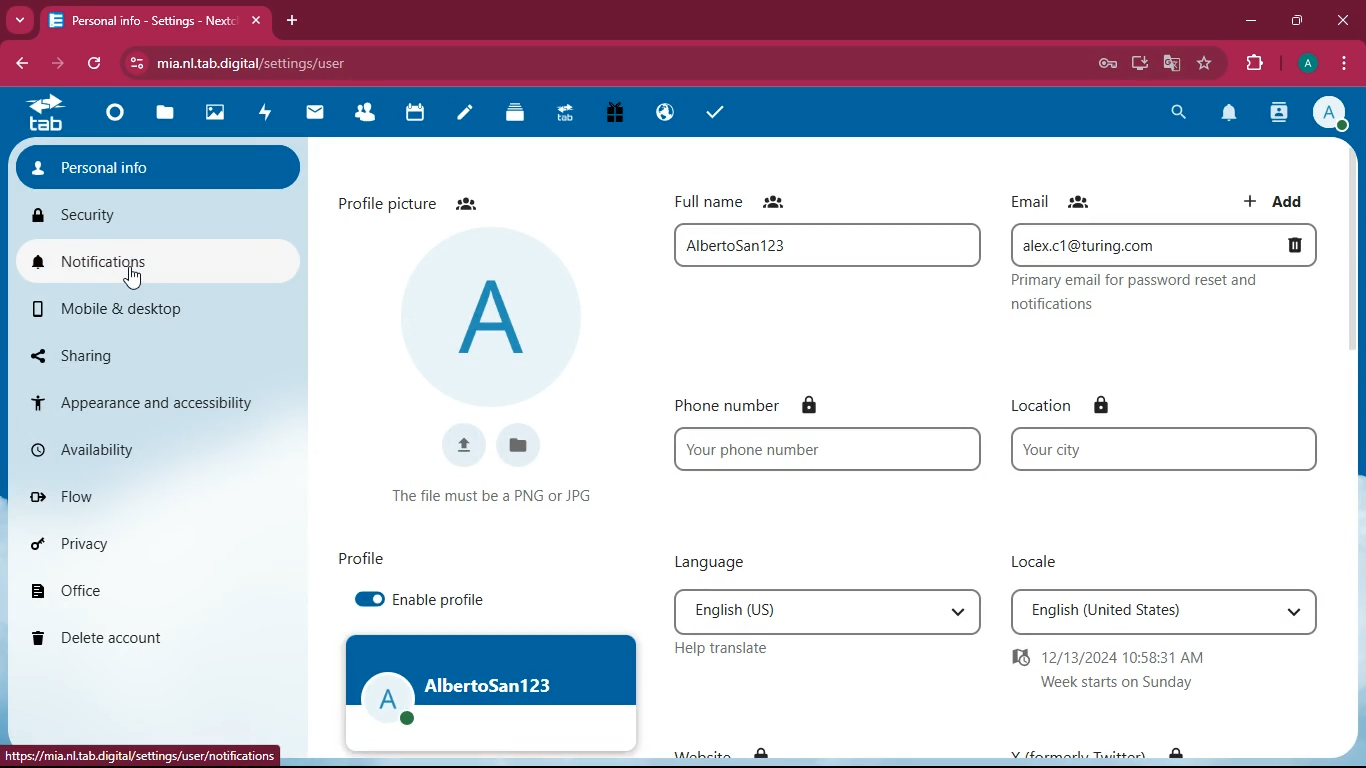 Image resolution: width=1366 pixels, height=768 pixels. I want to click on lock, so click(1106, 405).